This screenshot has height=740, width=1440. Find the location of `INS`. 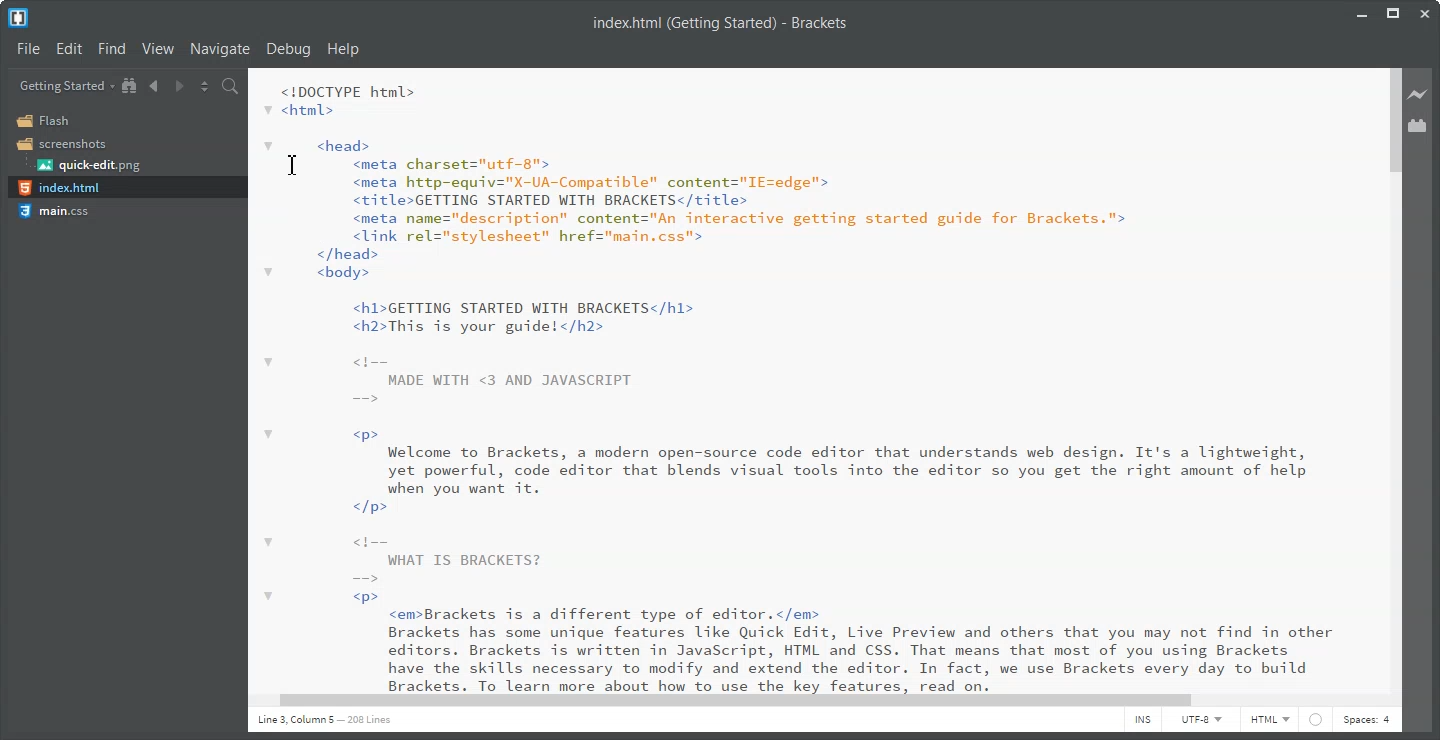

INS is located at coordinates (1142, 720).